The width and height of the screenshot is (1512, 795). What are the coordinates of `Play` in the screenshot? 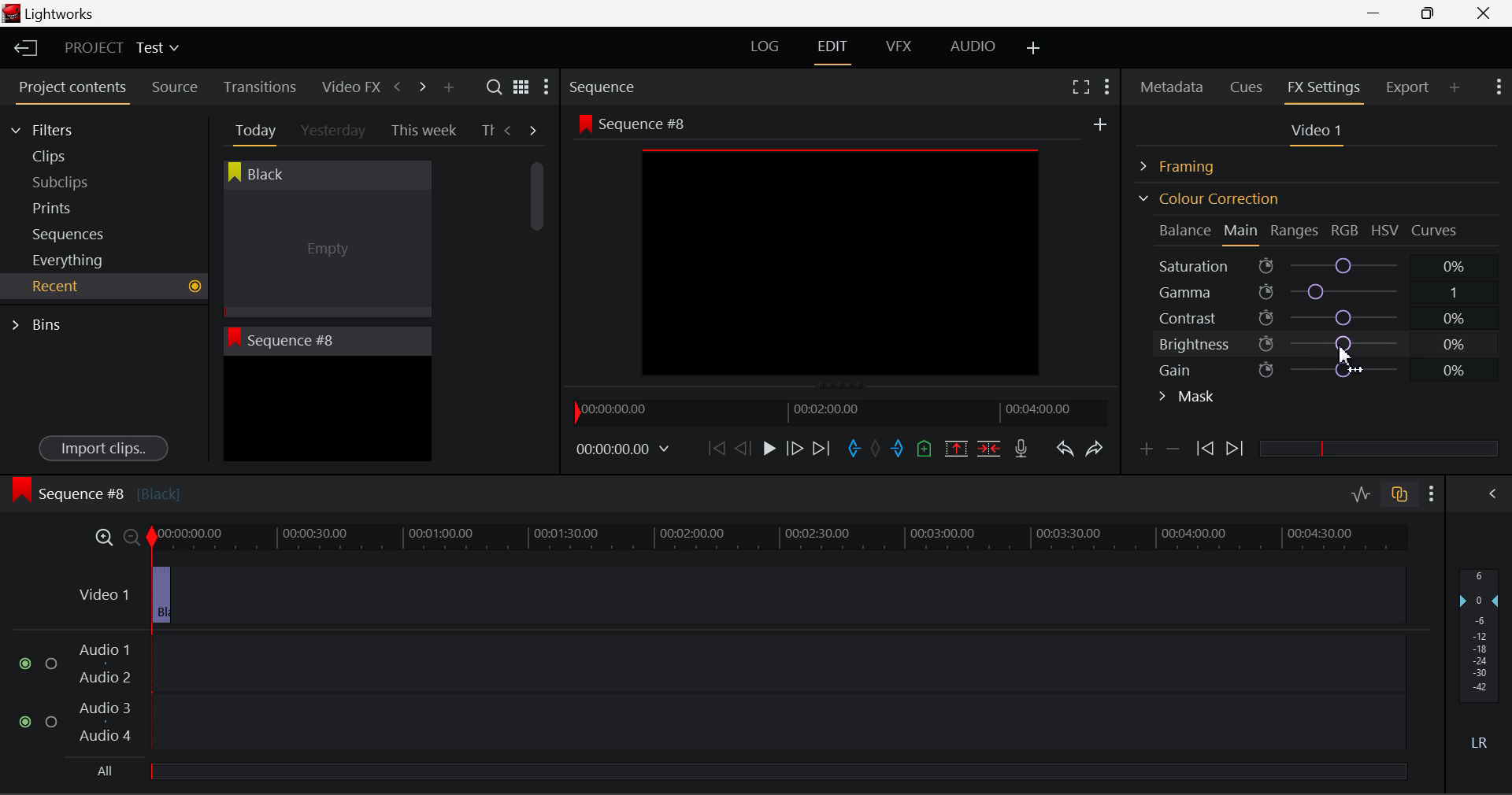 It's located at (767, 449).